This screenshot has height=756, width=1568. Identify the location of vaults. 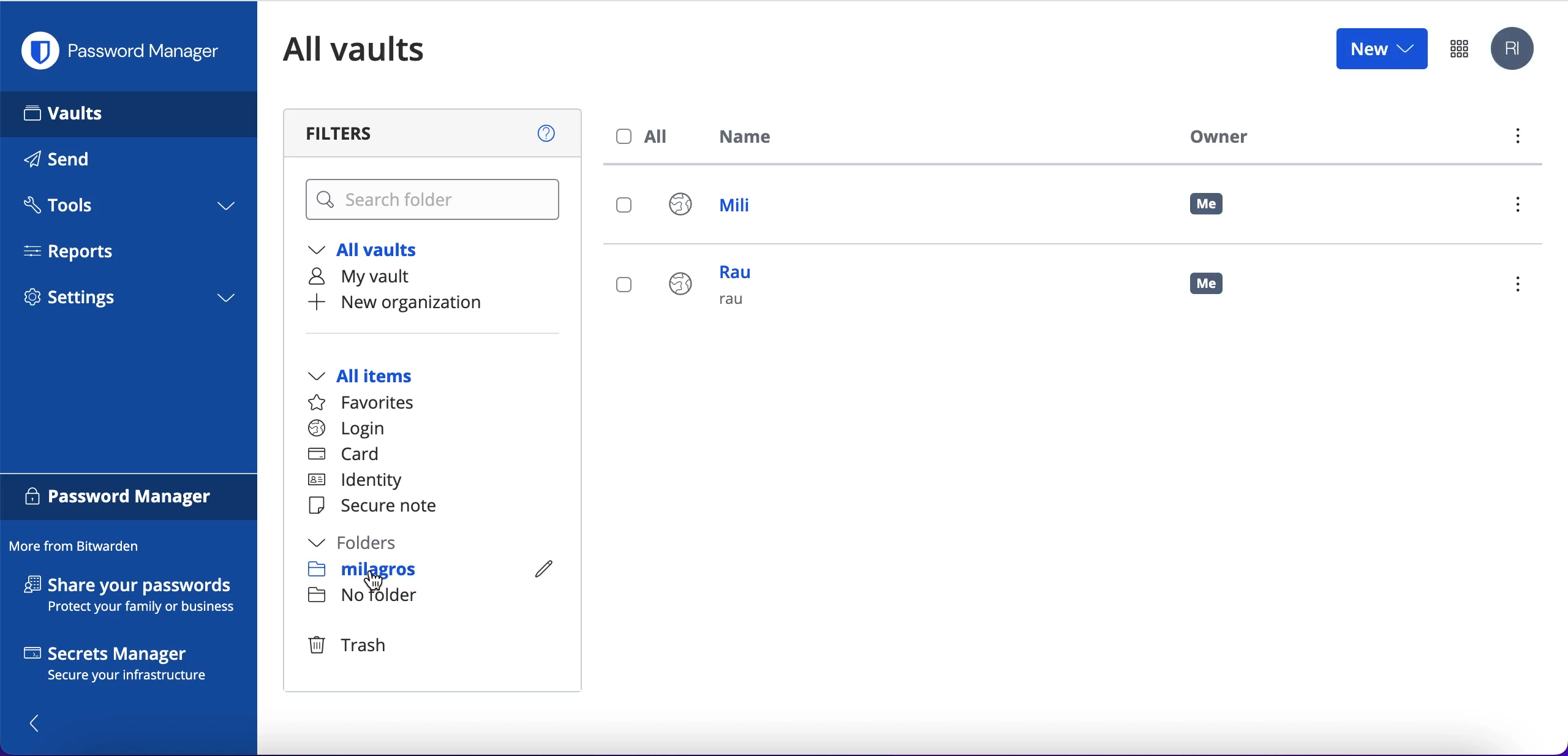
(129, 113).